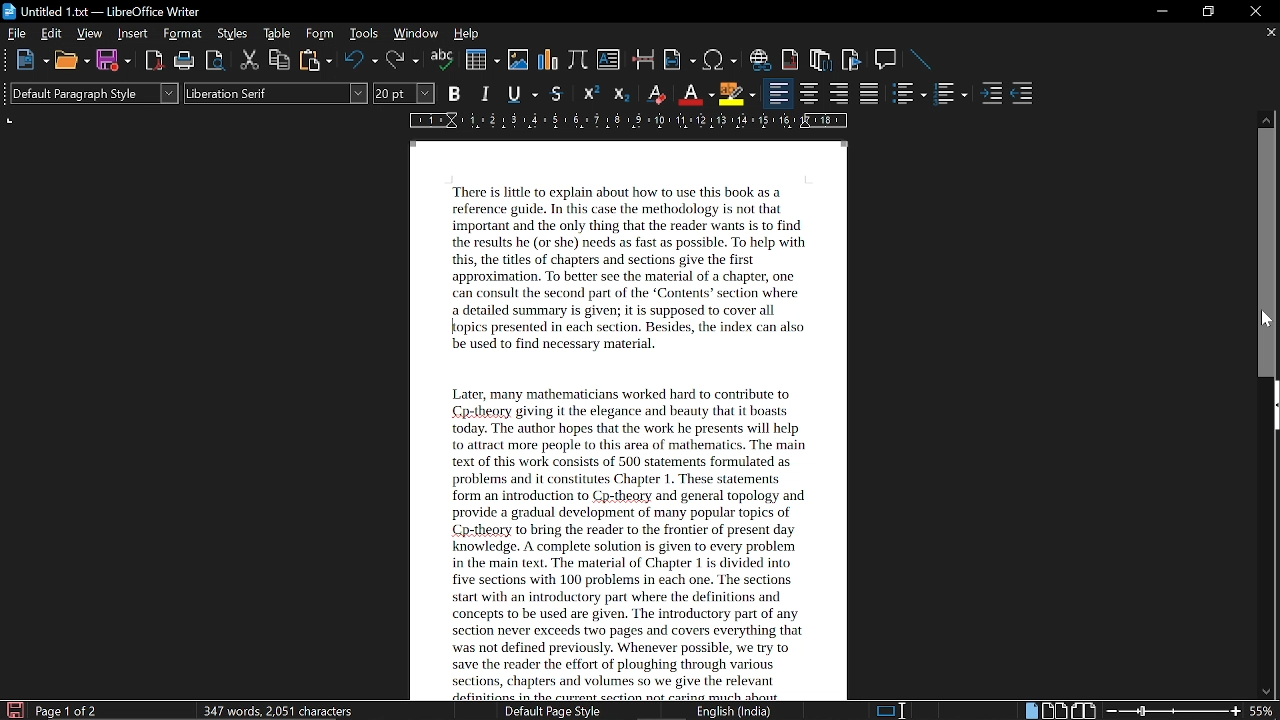 This screenshot has height=720, width=1280. What do you see at coordinates (405, 93) in the screenshot?
I see `font size` at bounding box center [405, 93].